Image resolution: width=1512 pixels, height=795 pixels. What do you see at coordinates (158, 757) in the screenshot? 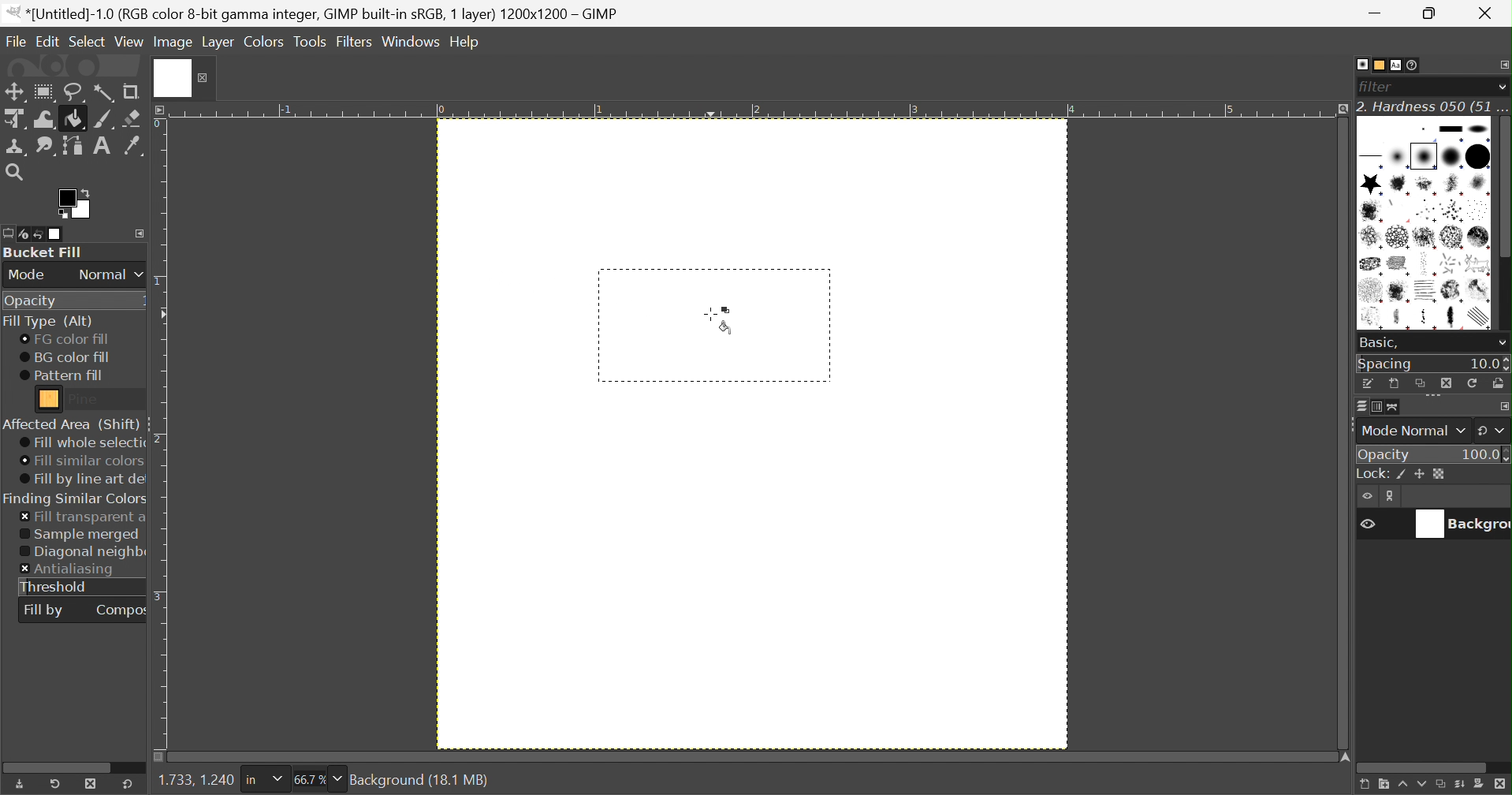
I see `Toggle Quick Mask on/off` at bounding box center [158, 757].